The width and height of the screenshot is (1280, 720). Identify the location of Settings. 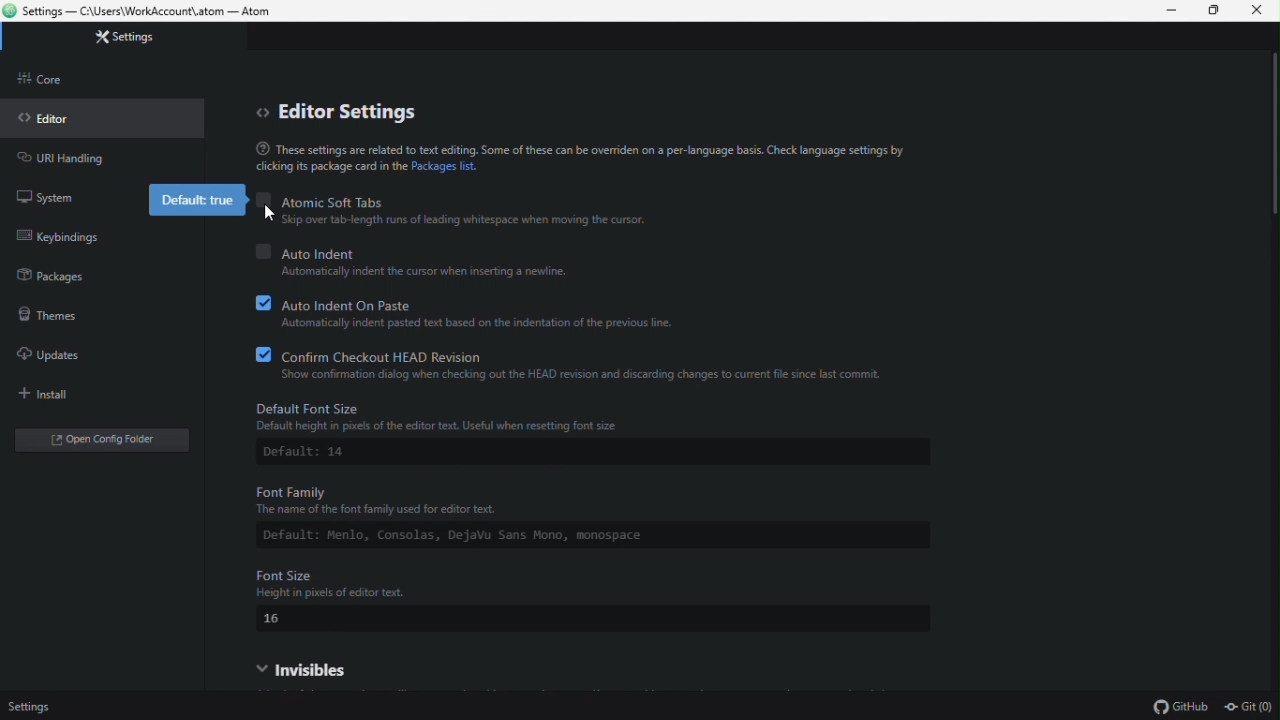
(141, 38).